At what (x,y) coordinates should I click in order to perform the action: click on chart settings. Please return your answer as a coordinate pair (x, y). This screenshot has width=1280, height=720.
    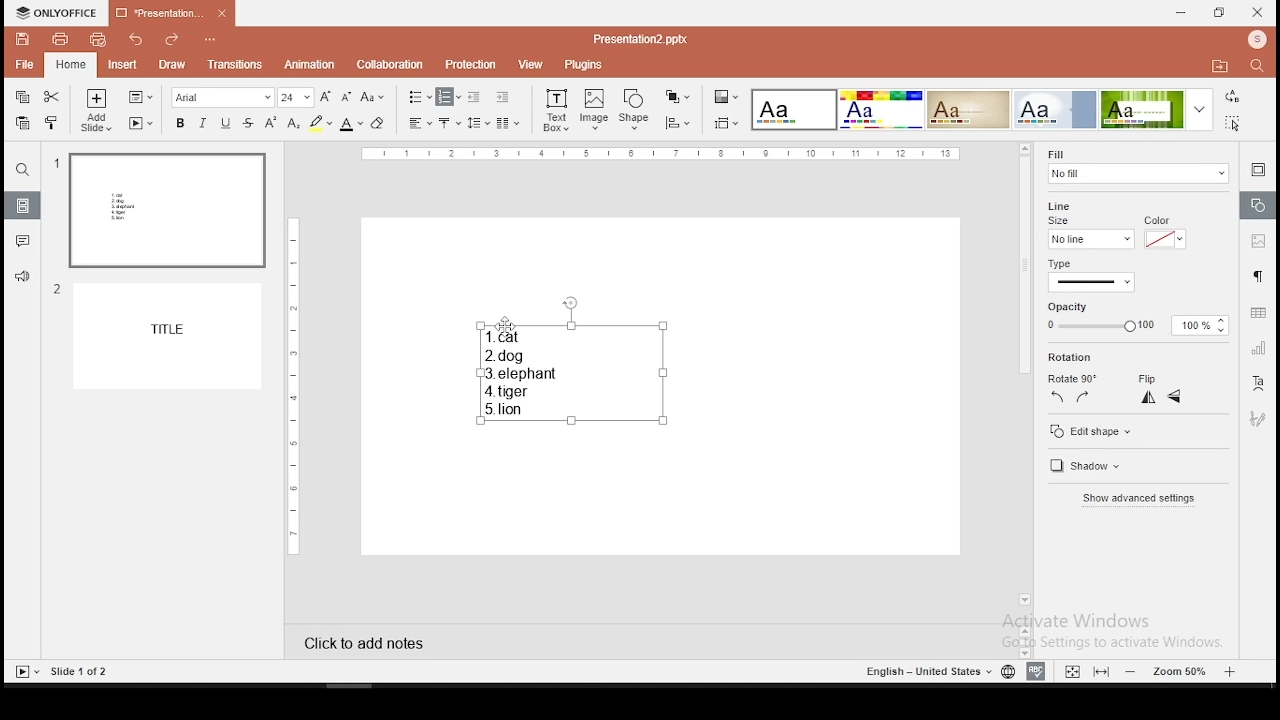
    Looking at the image, I should click on (1256, 350).